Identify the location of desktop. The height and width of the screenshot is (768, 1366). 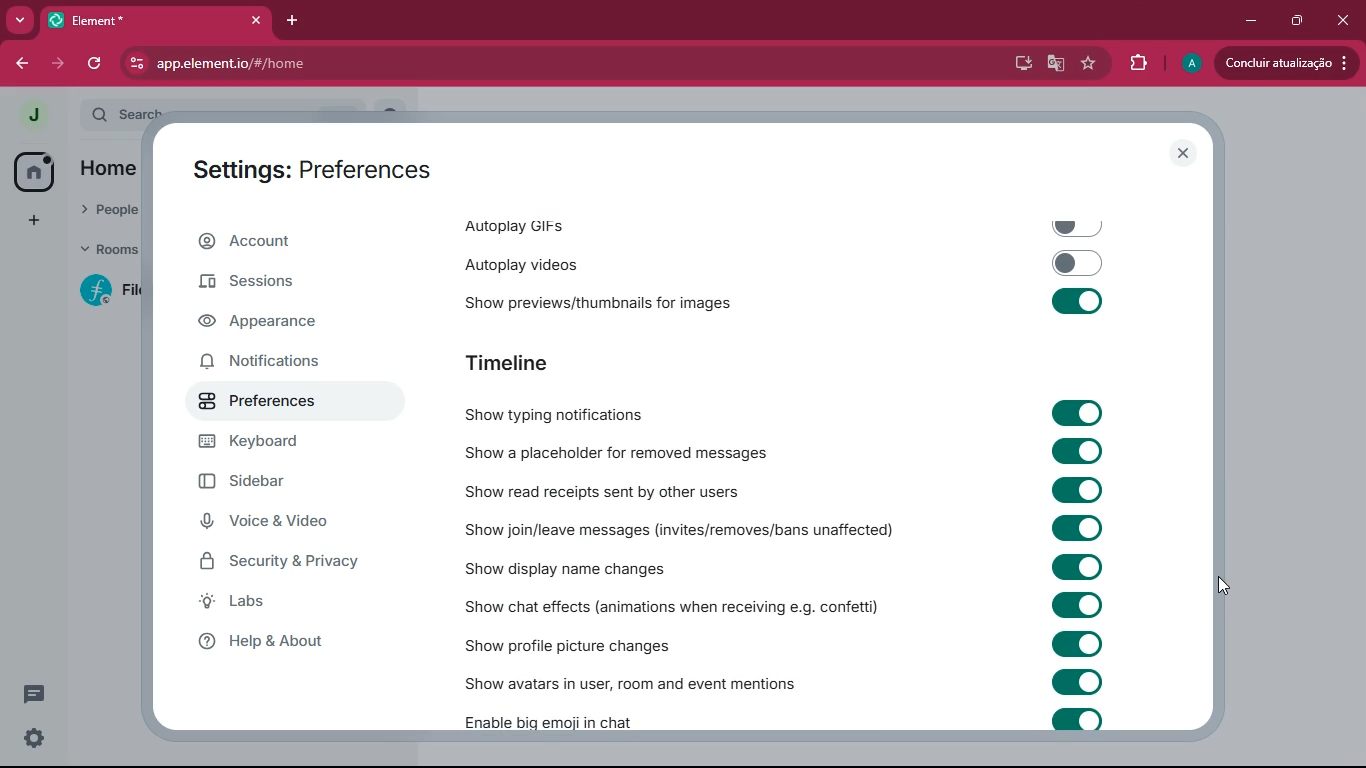
(1019, 63).